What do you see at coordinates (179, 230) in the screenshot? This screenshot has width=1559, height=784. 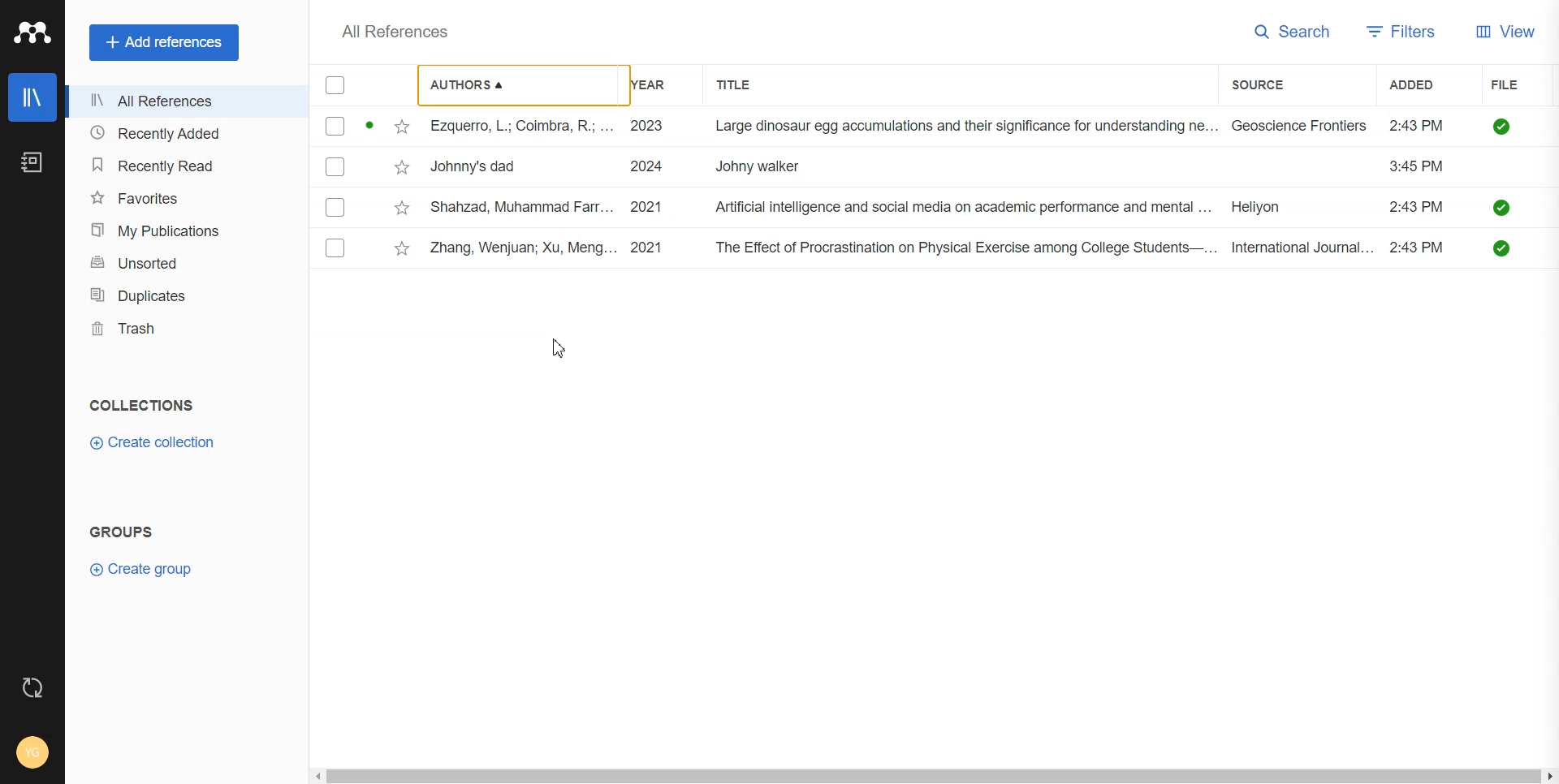 I see `My Publication` at bounding box center [179, 230].